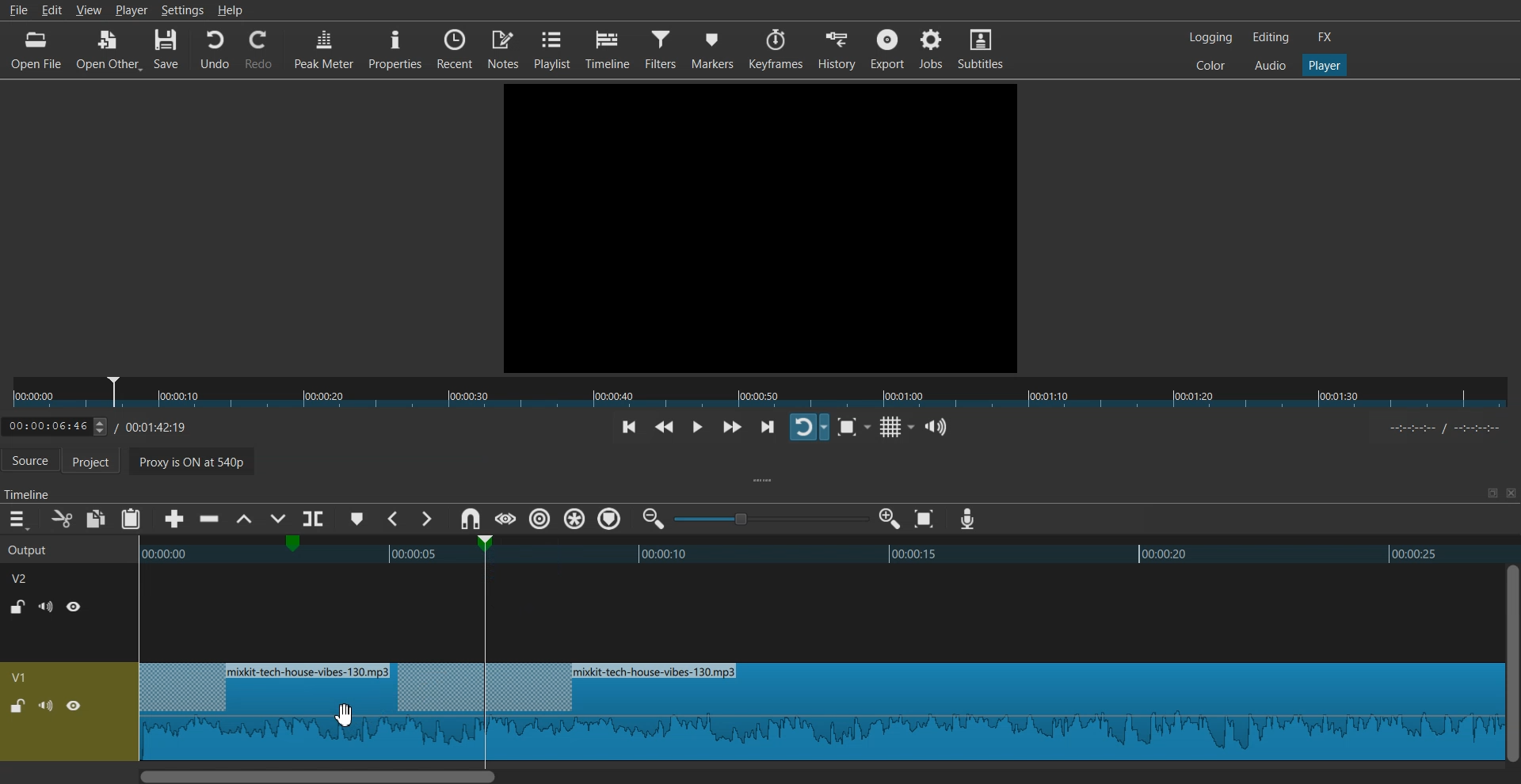 The width and height of the screenshot is (1521, 784). I want to click on Filters, so click(663, 48).